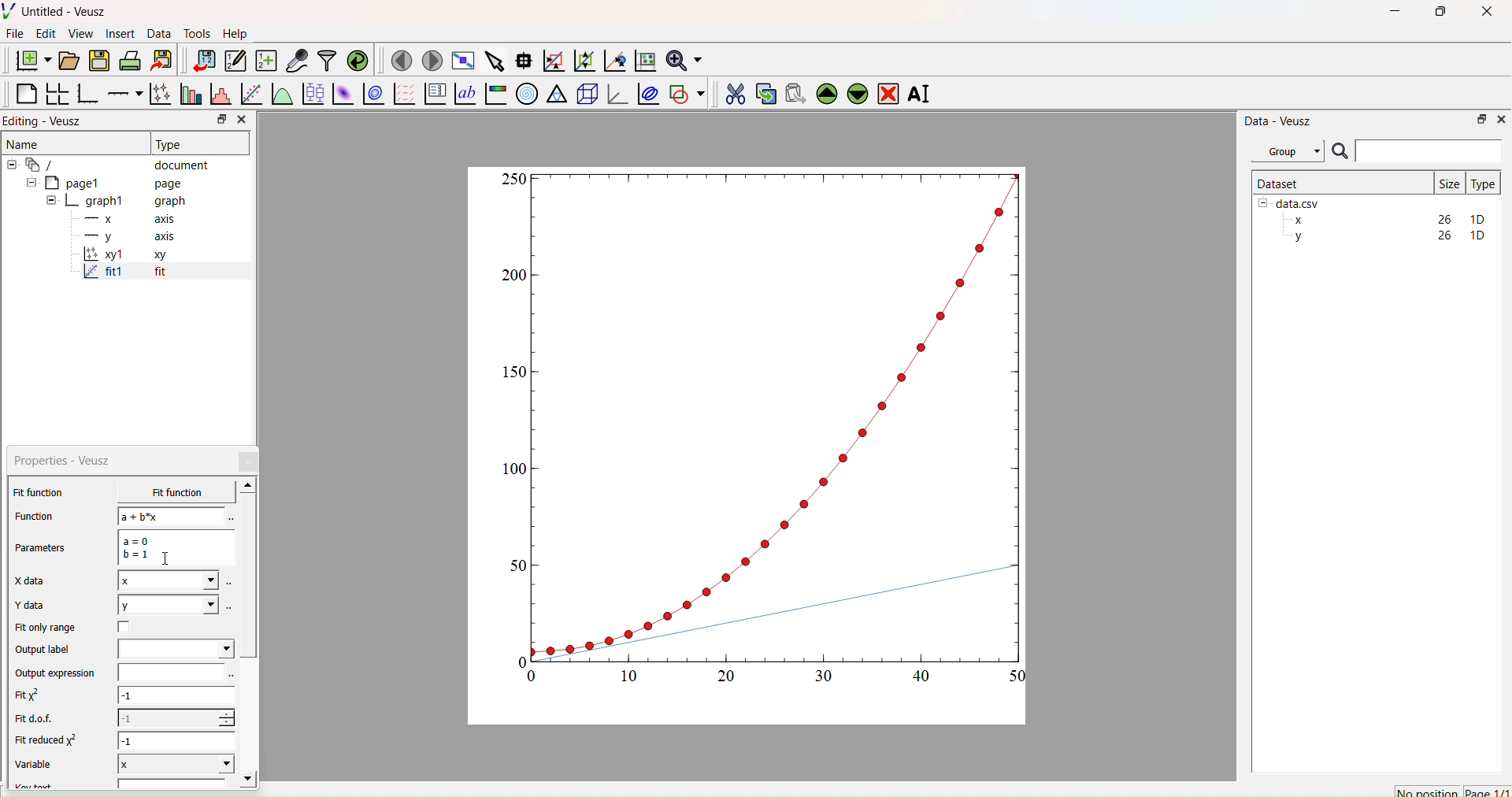  Describe the element at coordinates (231, 611) in the screenshot. I see `Select using dataset browser` at that location.